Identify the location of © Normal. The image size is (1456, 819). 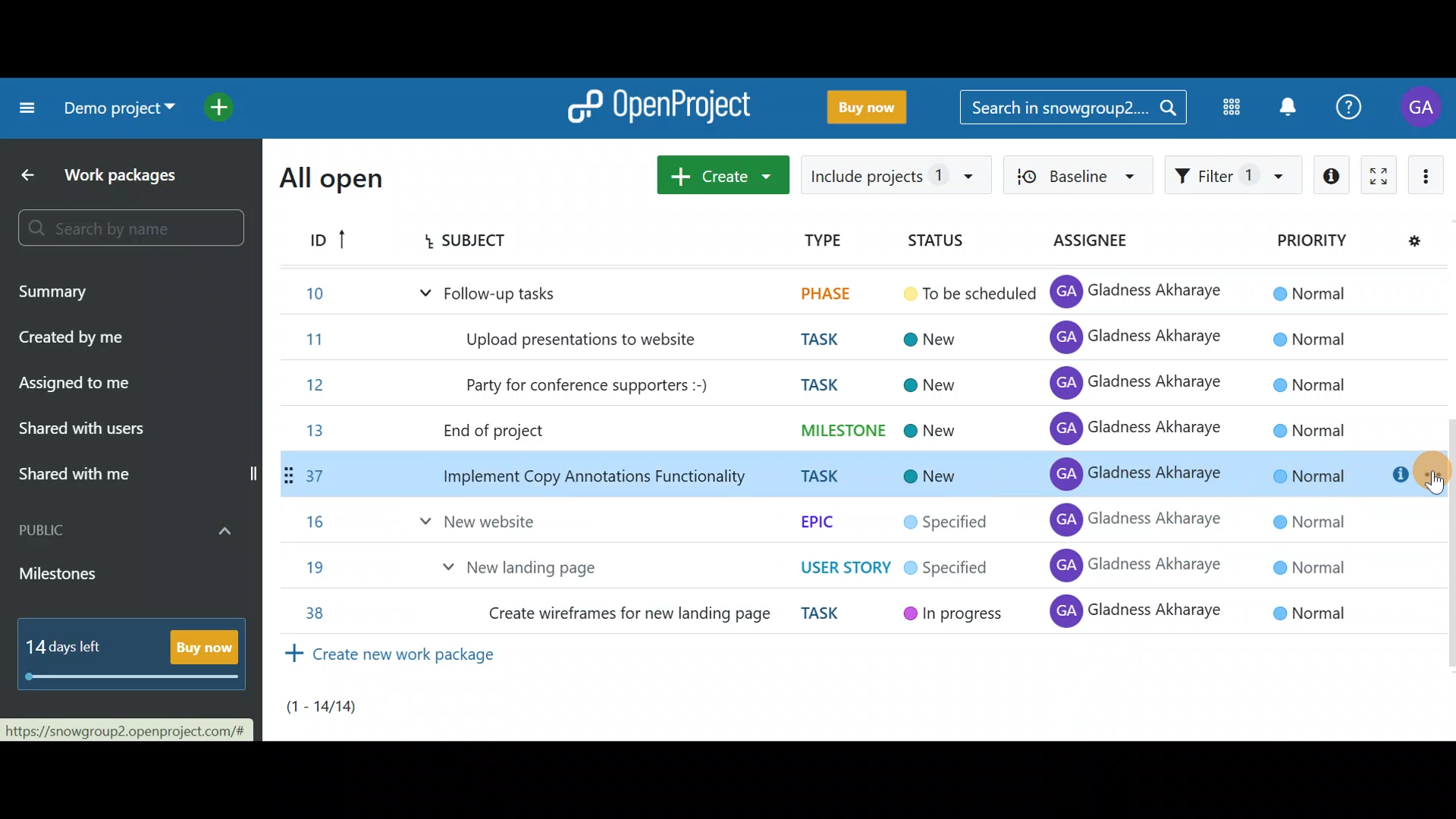
(1310, 567).